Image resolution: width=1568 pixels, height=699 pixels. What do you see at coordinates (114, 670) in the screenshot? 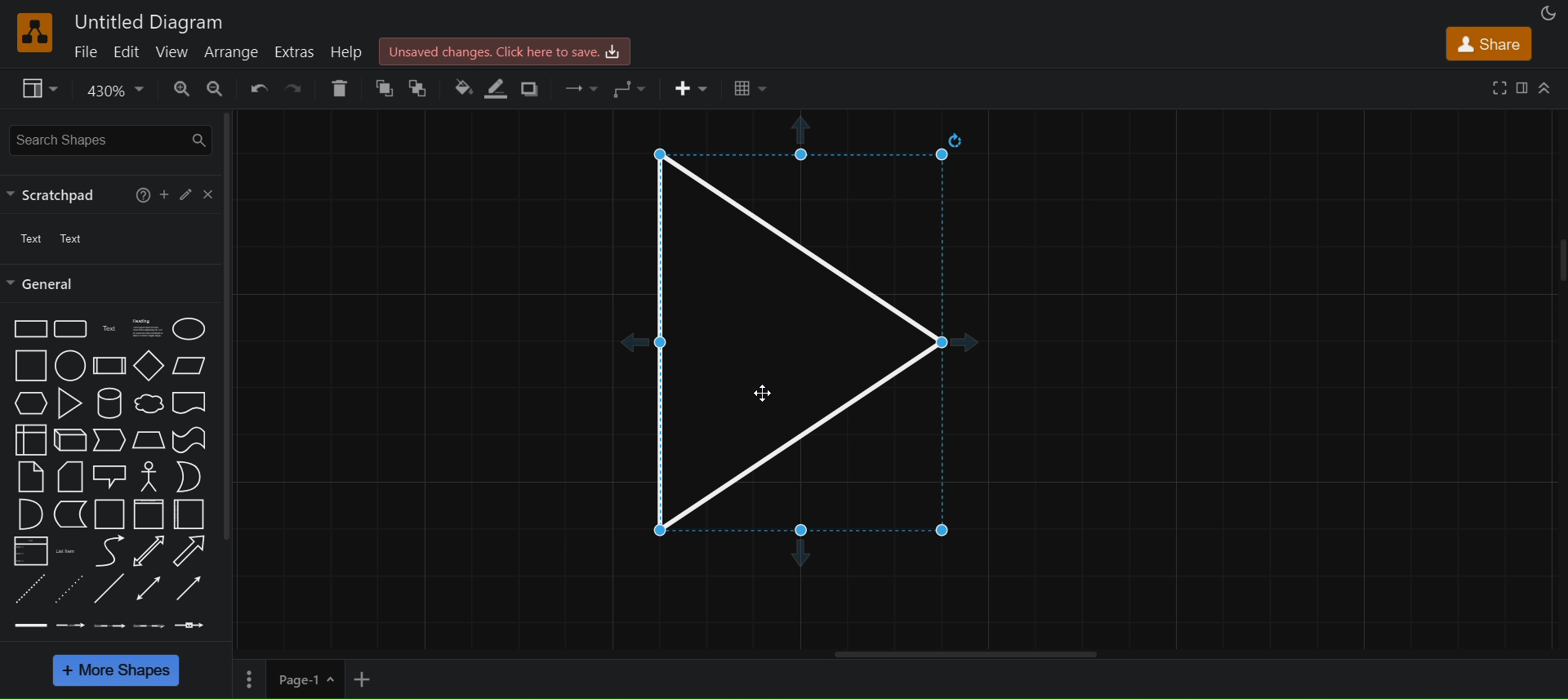
I see `more shapes` at bounding box center [114, 670].